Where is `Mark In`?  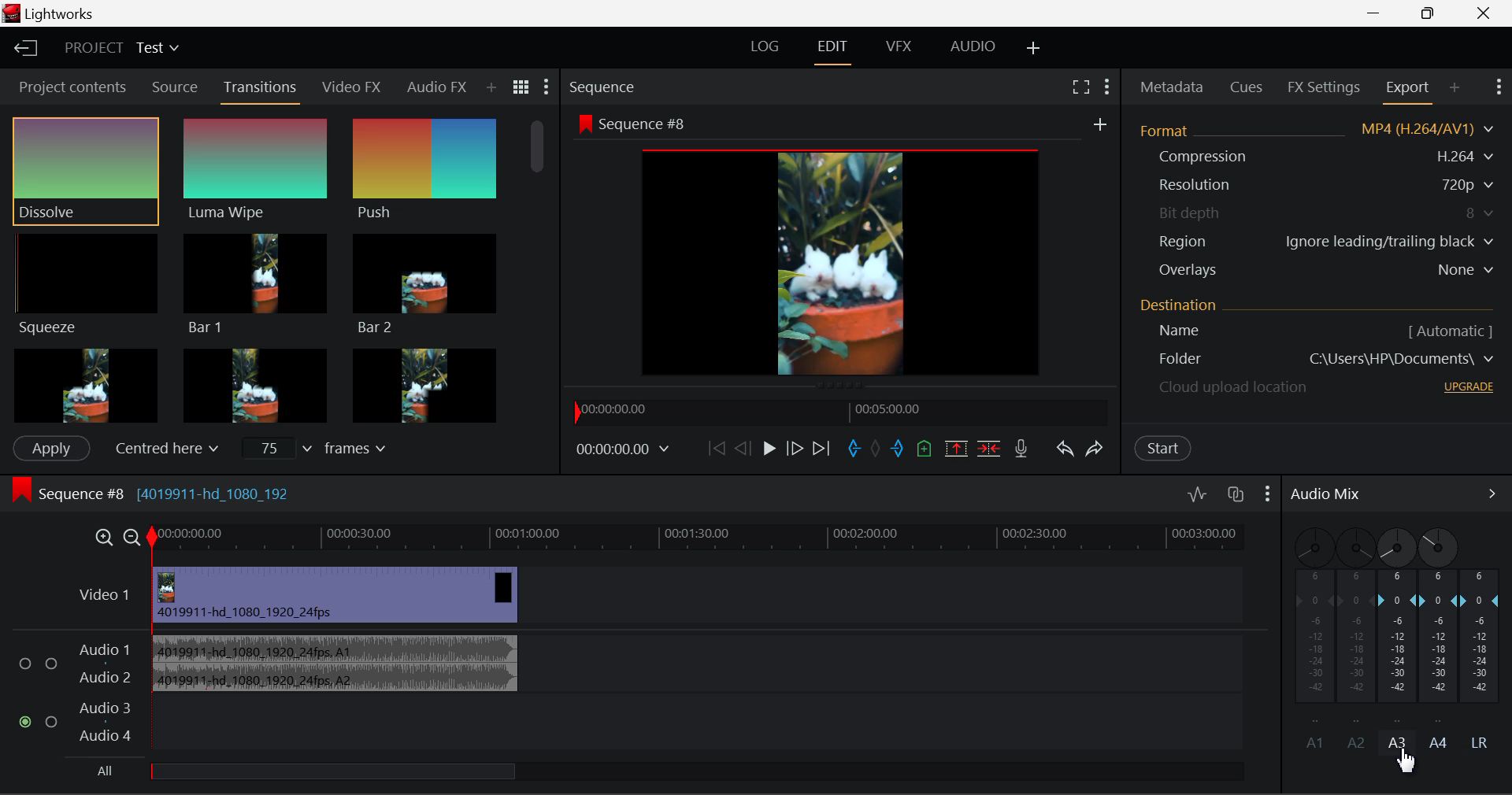 Mark In is located at coordinates (854, 452).